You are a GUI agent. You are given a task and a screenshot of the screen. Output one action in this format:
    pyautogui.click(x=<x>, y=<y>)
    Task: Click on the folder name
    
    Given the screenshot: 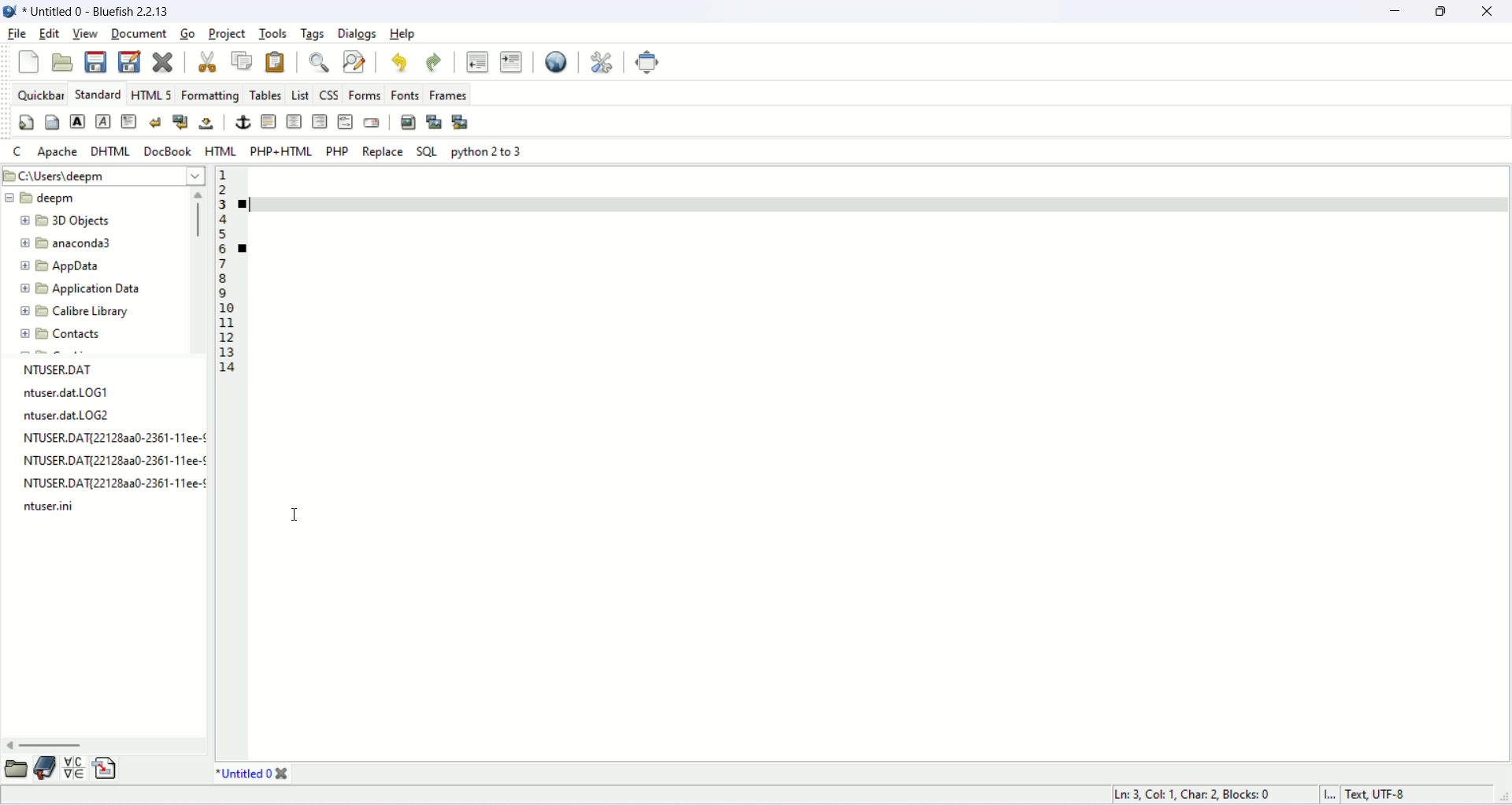 What is the action you would take?
    pyautogui.click(x=89, y=290)
    